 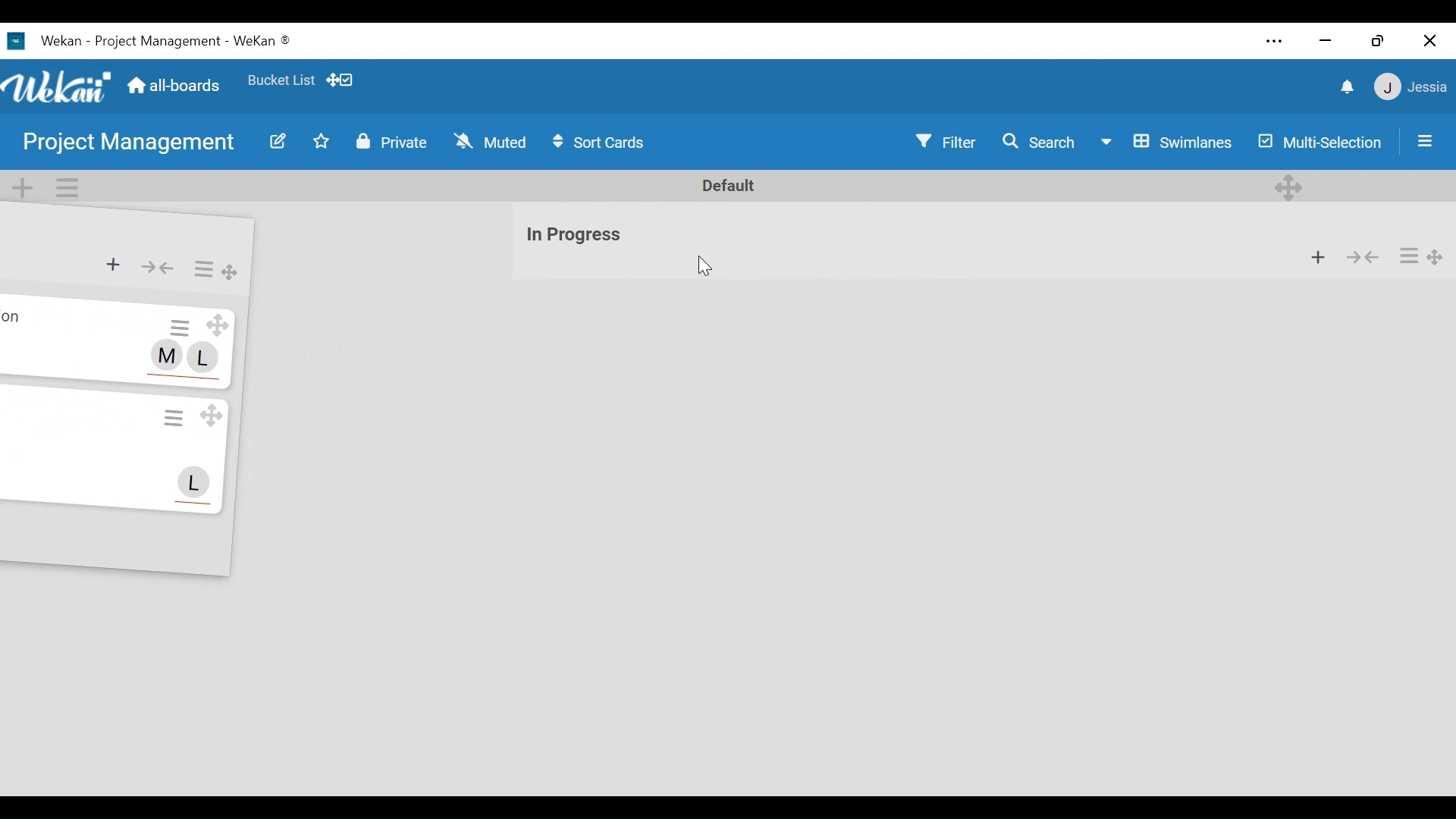 What do you see at coordinates (158, 266) in the screenshot?
I see `Collapse` at bounding box center [158, 266].